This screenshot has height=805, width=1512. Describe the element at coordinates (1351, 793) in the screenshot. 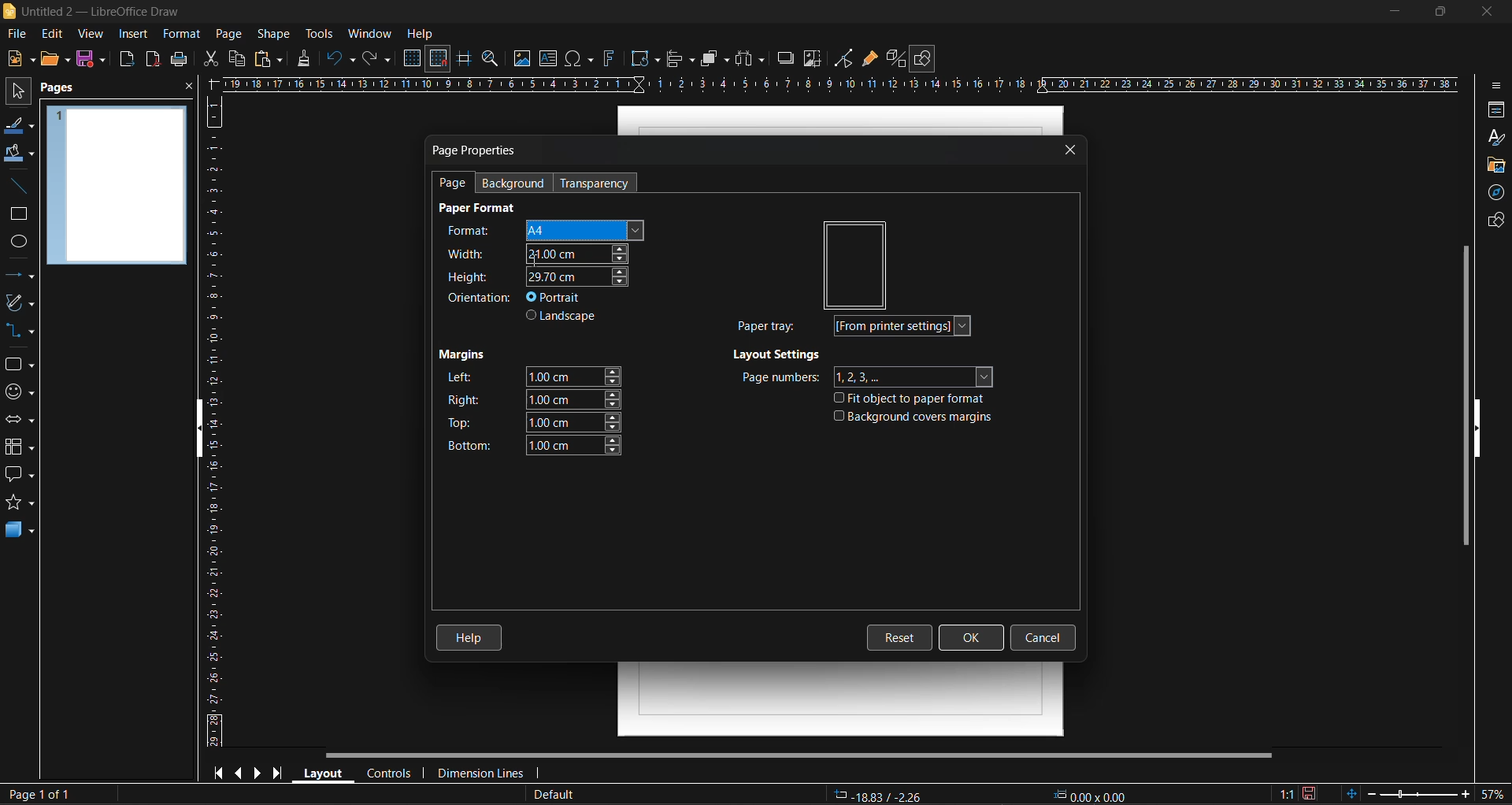

I see `fit page to current window` at that location.